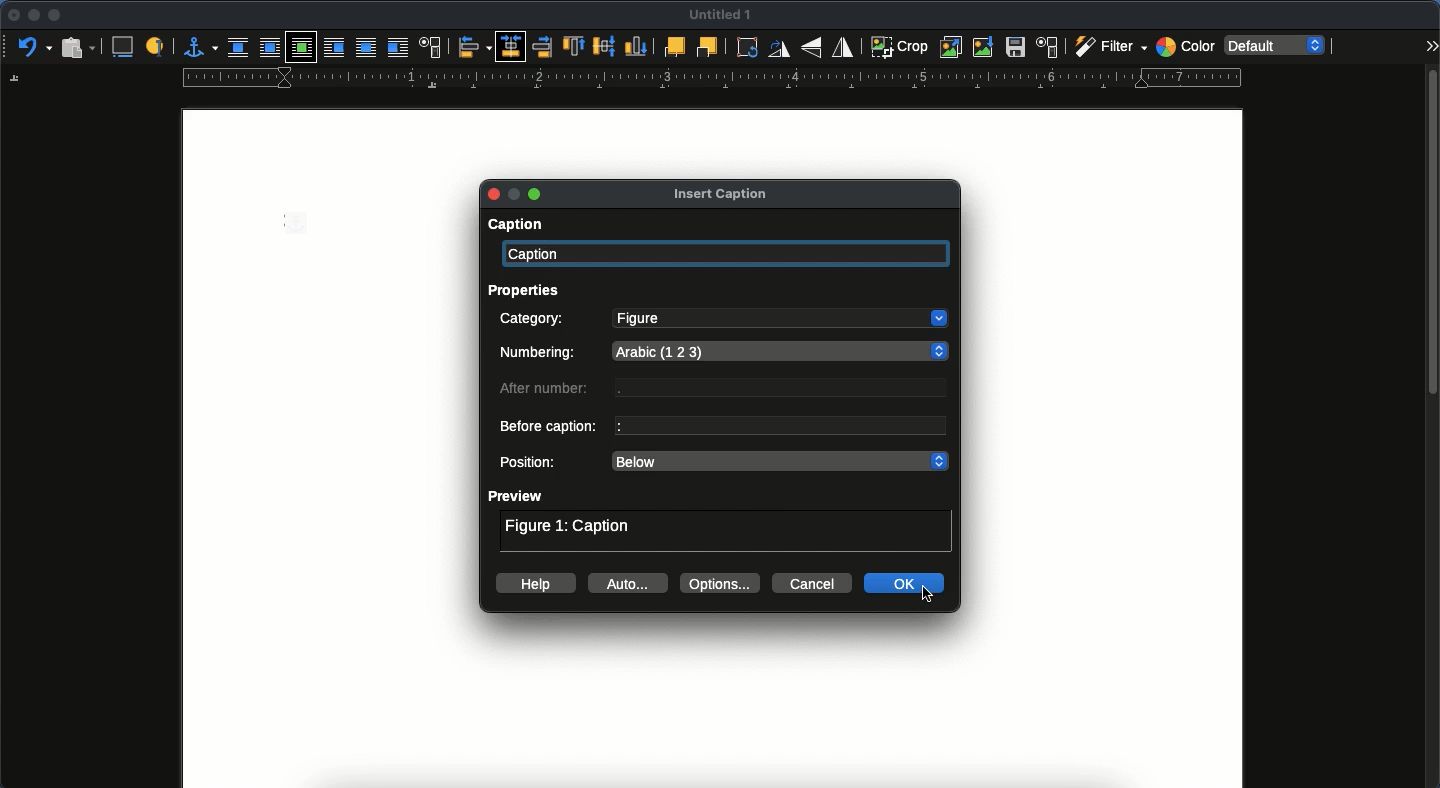 The height and width of the screenshot is (788, 1440). What do you see at coordinates (534, 320) in the screenshot?
I see `category` at bounding box center [534, 320].